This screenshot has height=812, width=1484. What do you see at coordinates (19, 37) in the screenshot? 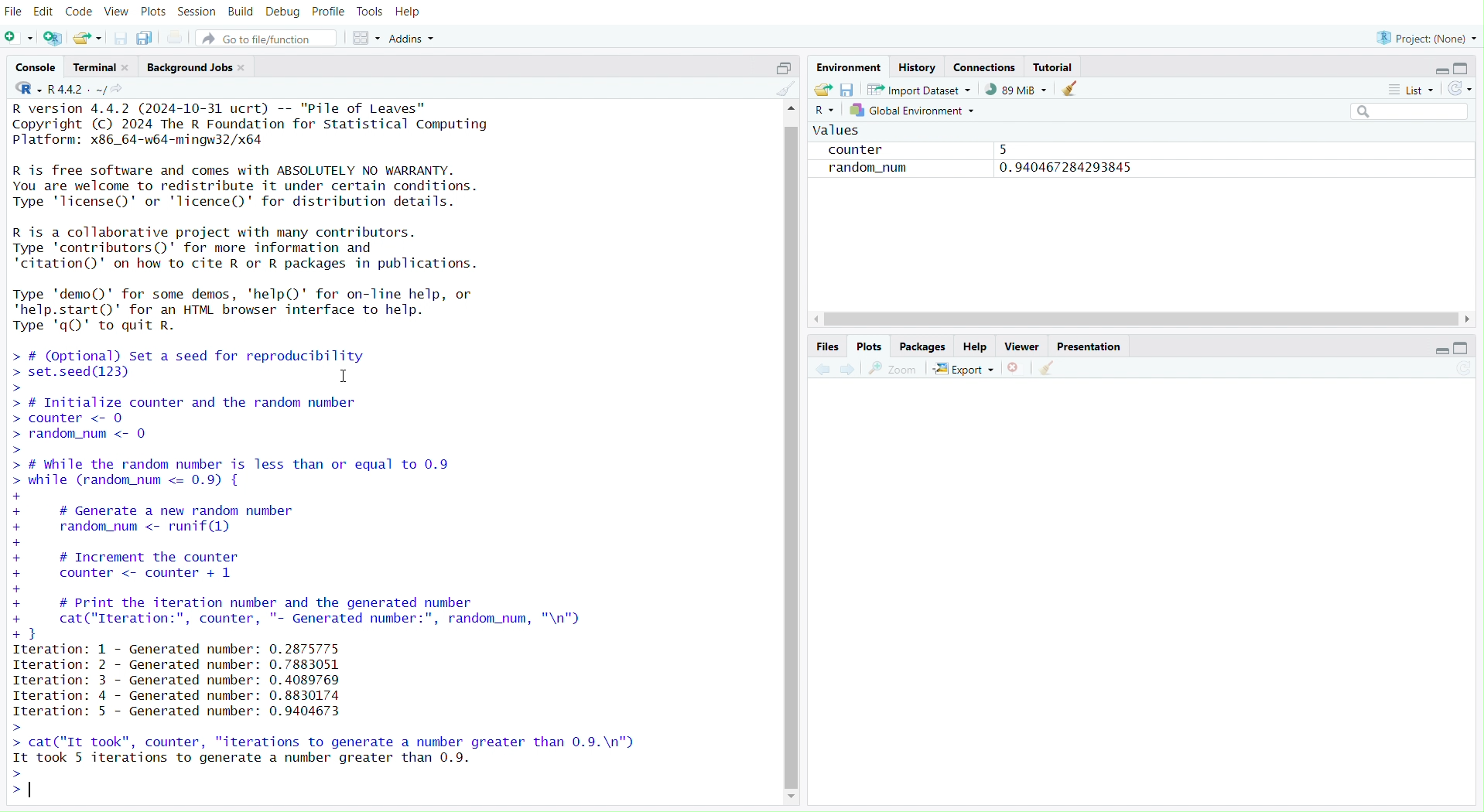
I see `New File` at bounding box center [19, 37].